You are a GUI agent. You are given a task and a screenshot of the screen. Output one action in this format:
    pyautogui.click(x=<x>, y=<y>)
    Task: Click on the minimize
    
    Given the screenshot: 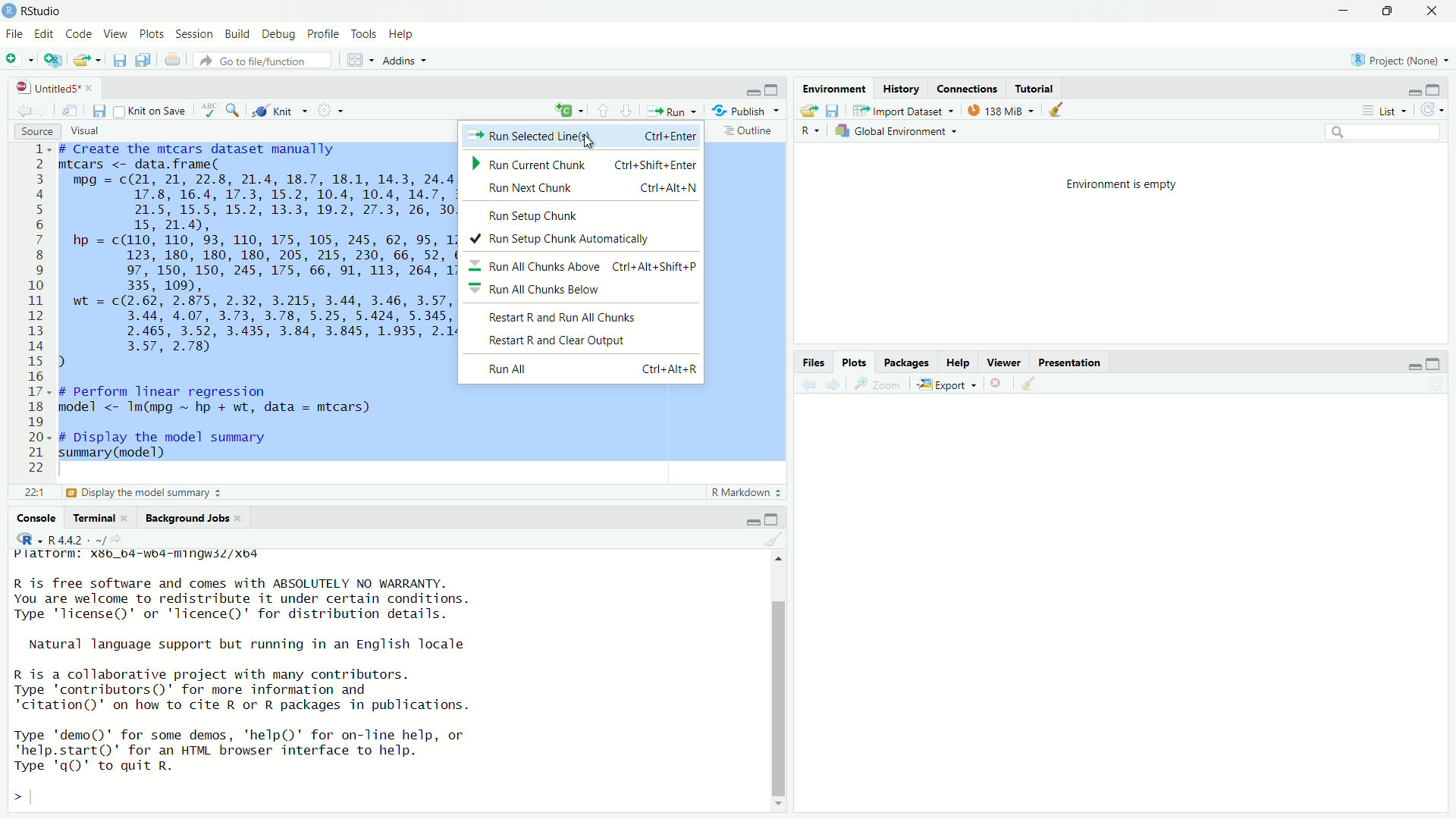 What is the action you would take?
    pyautogui.click(x=1345, y=11)
    